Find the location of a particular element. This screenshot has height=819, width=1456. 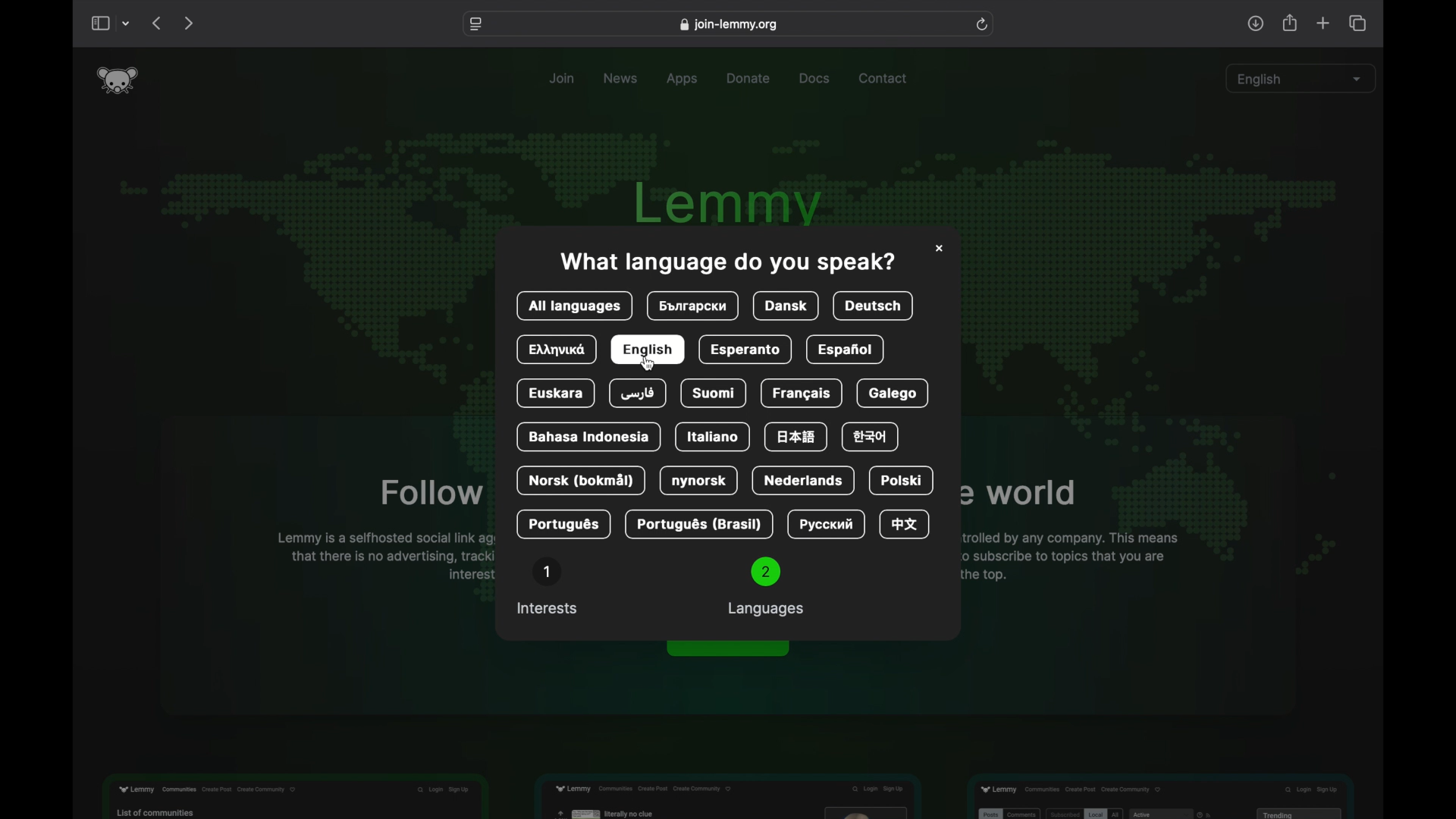

lemmy is located at coordinates (732, 207).